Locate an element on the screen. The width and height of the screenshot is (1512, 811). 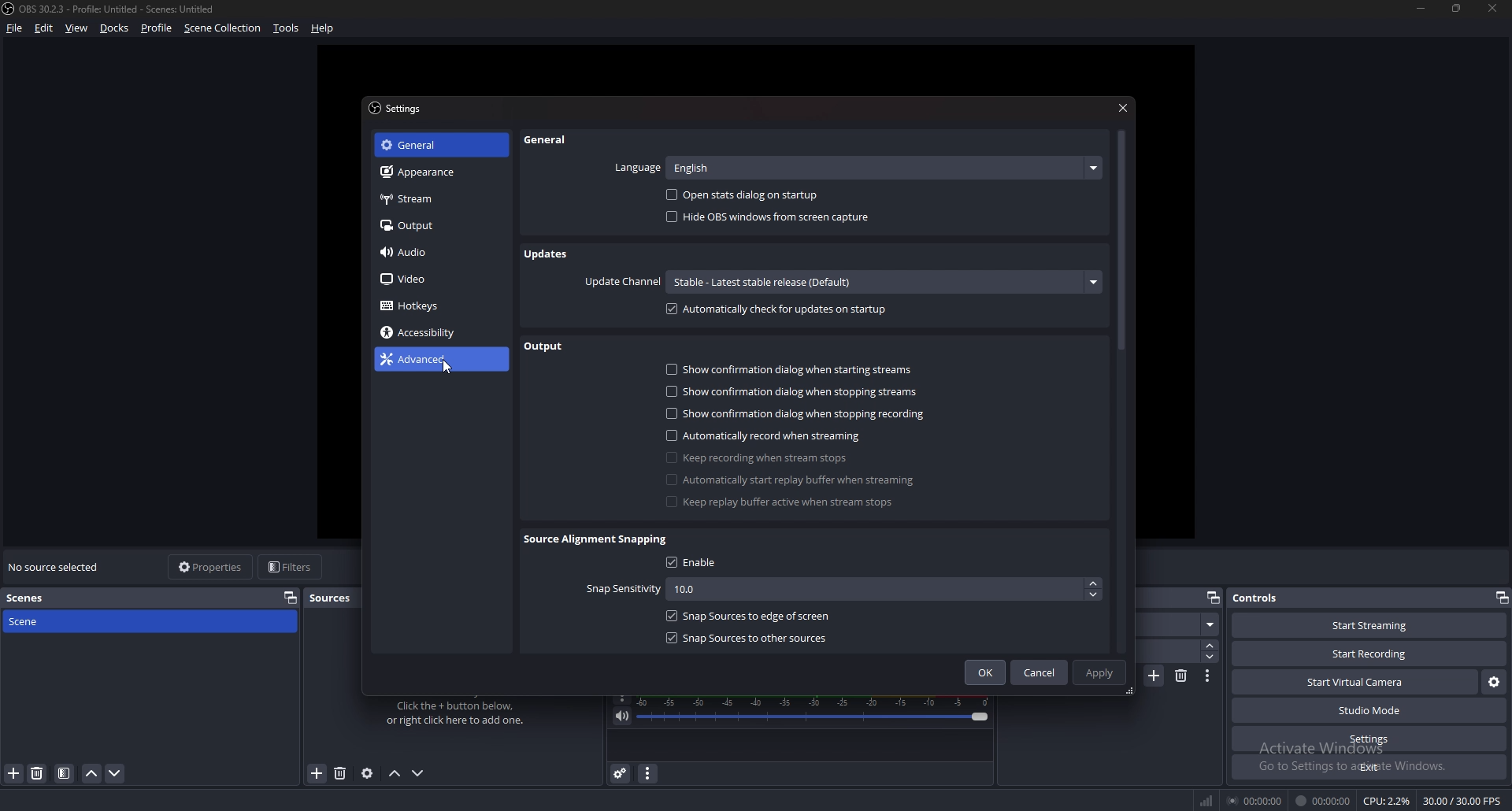
exit is located at coordinates (1370, 767).